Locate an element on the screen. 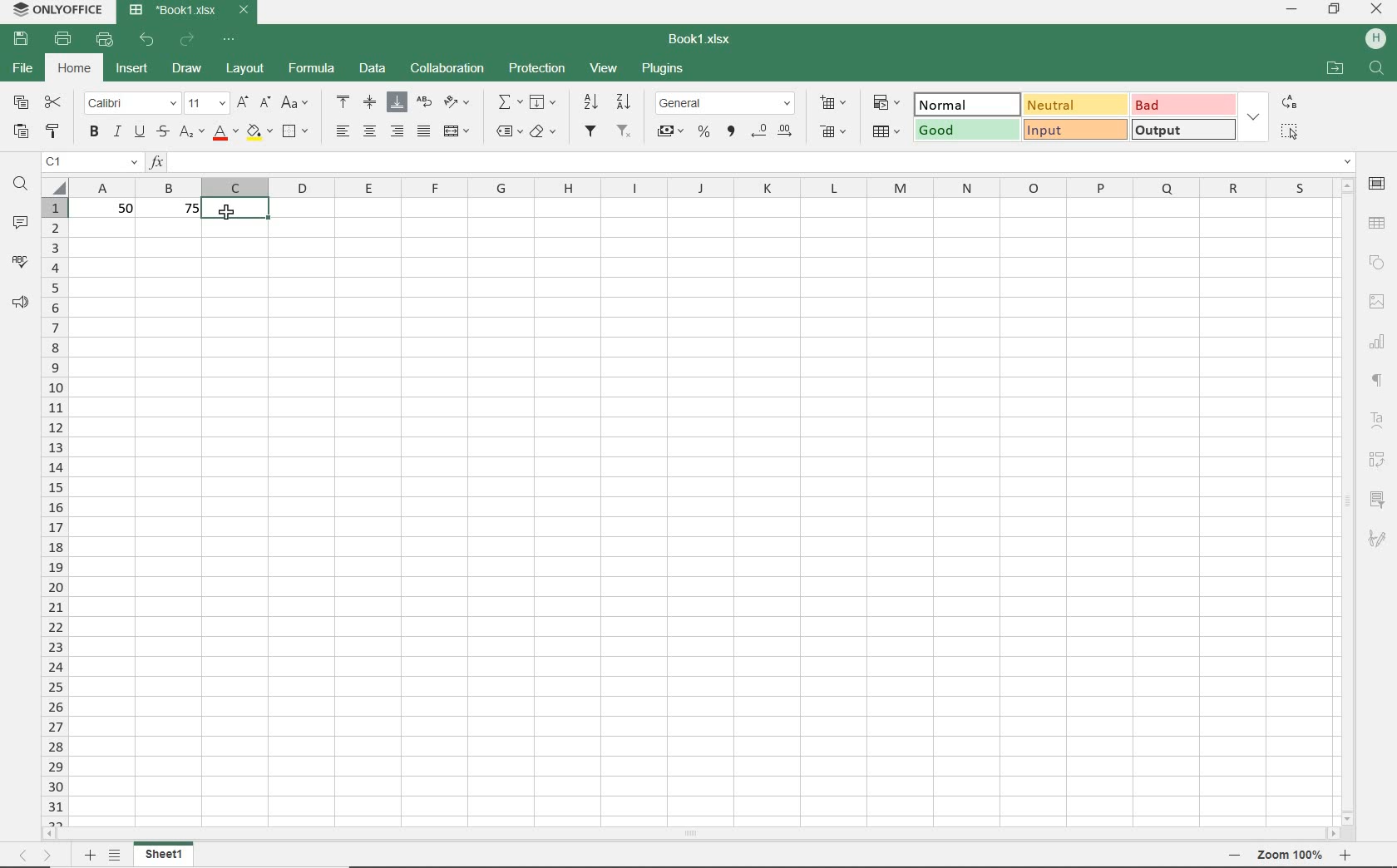  comma style is located at coordinates (732, 133).